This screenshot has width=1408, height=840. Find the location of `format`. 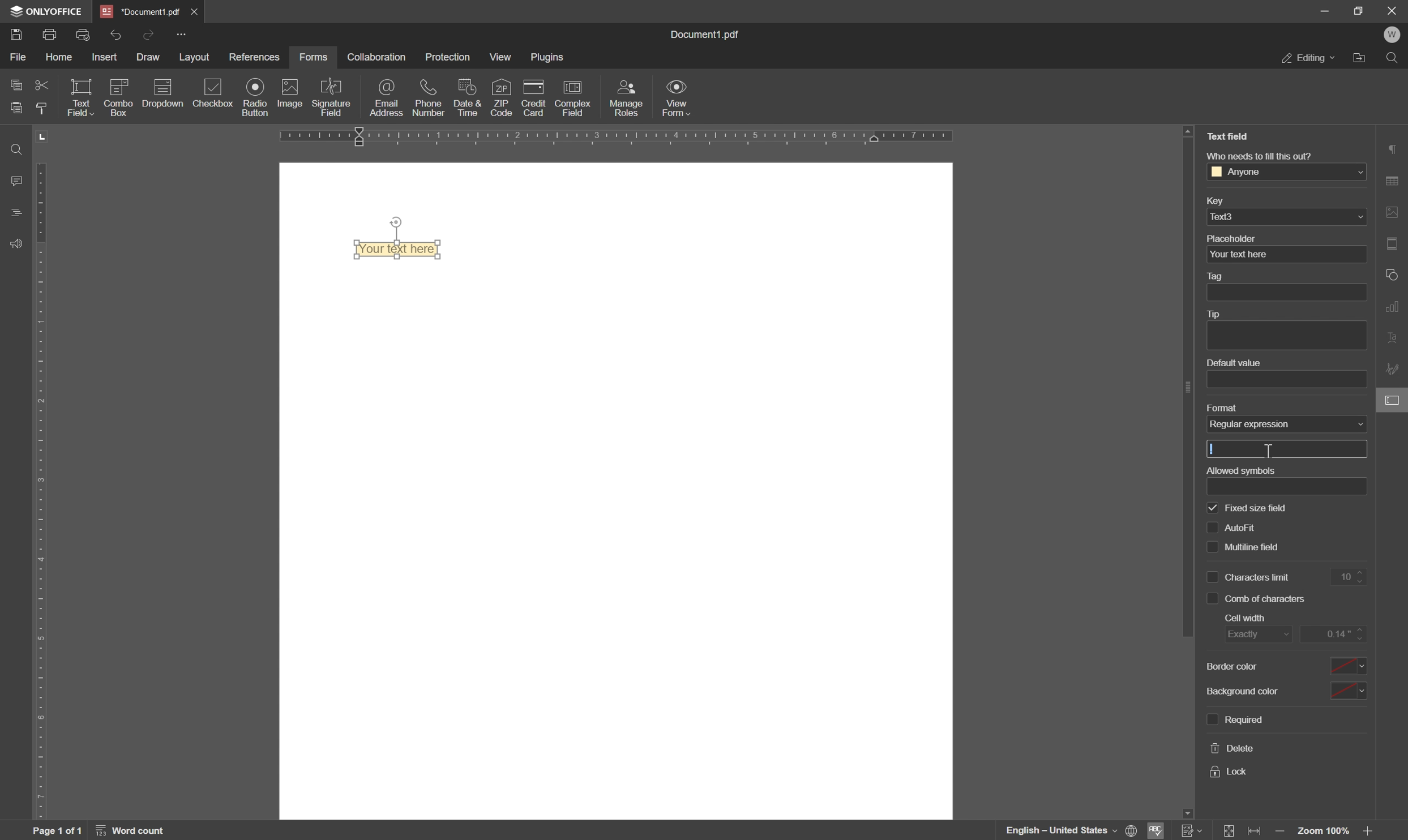

format is located at coordinates (1221, 406).